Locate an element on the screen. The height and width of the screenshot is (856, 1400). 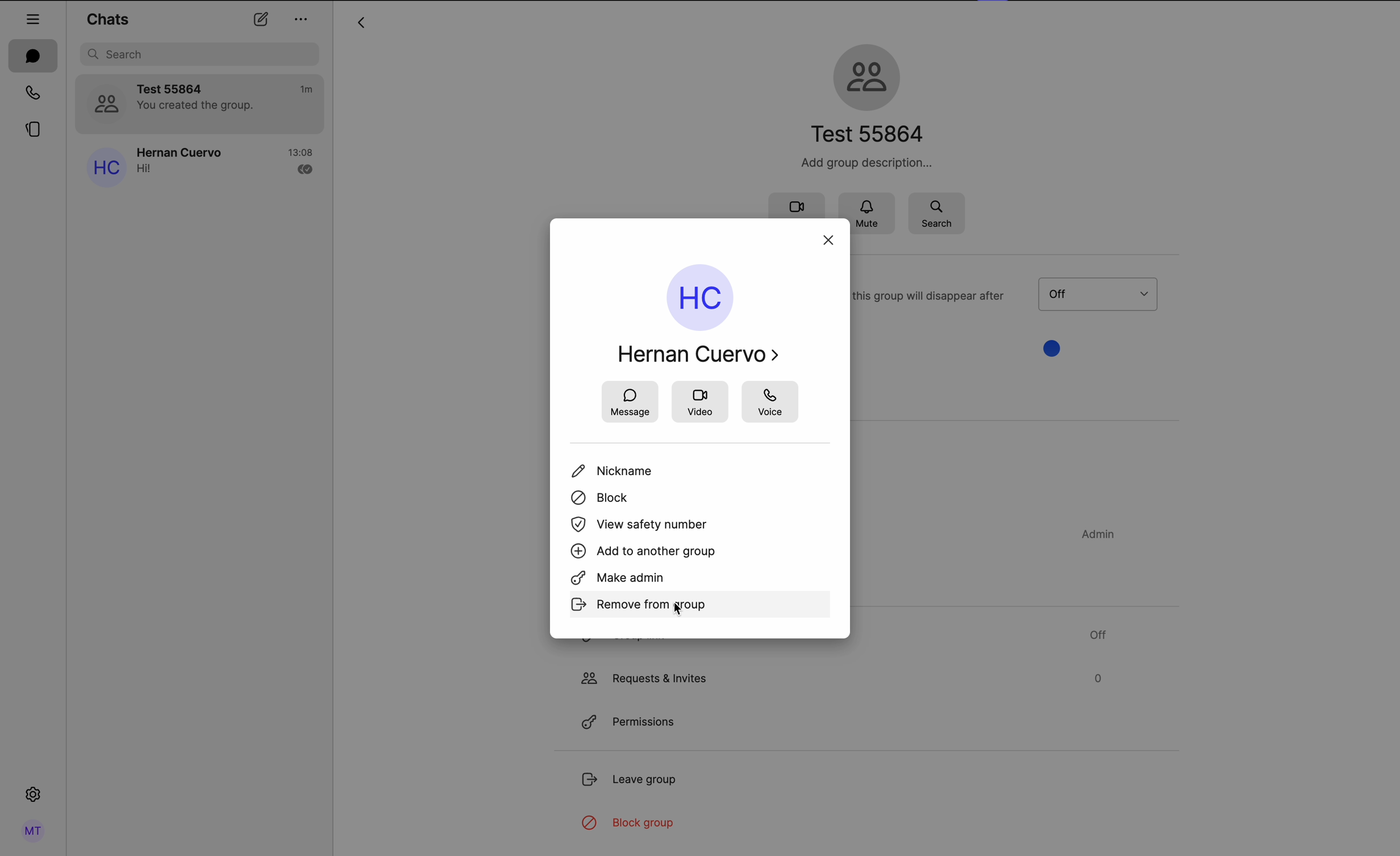
close is located at coordinates (830, 241).